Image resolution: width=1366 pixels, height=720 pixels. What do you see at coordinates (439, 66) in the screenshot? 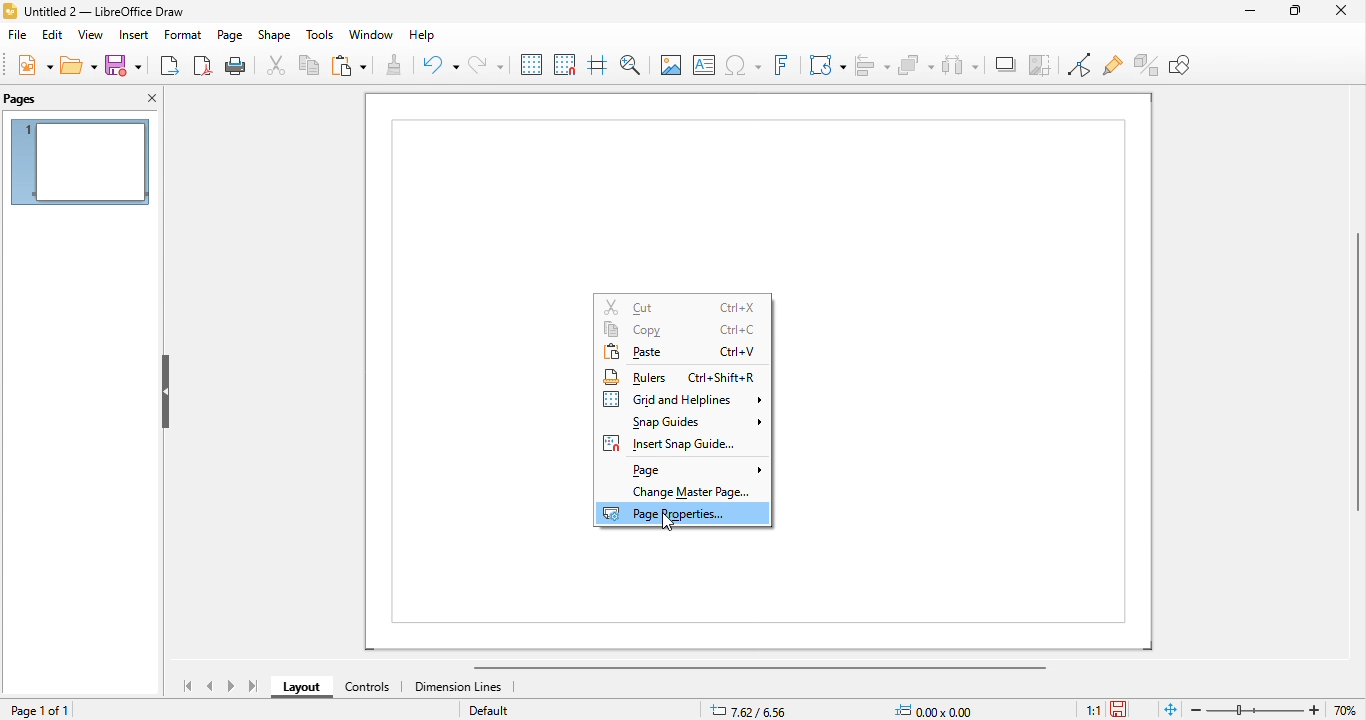
I see `undo` at bounding box center [439, 66].